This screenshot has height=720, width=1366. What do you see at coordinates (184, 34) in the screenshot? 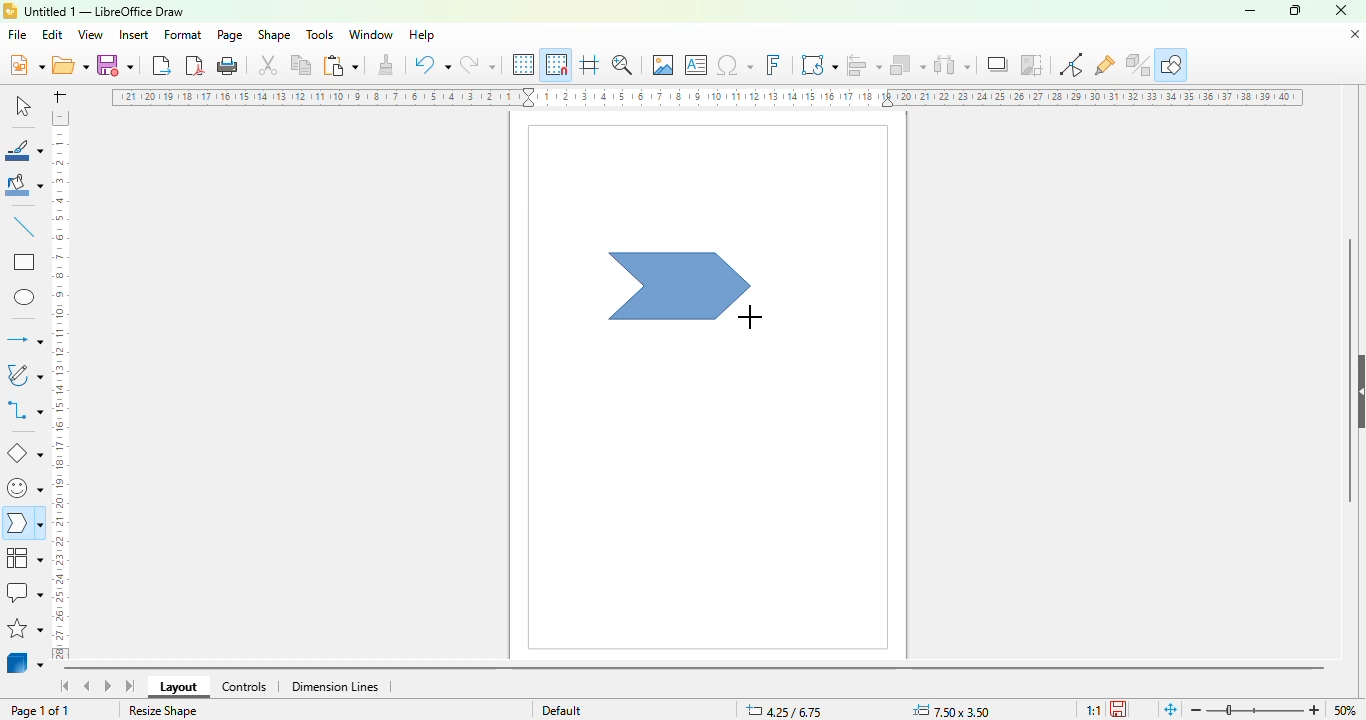
I see `format` at bounding box center [184, 34].